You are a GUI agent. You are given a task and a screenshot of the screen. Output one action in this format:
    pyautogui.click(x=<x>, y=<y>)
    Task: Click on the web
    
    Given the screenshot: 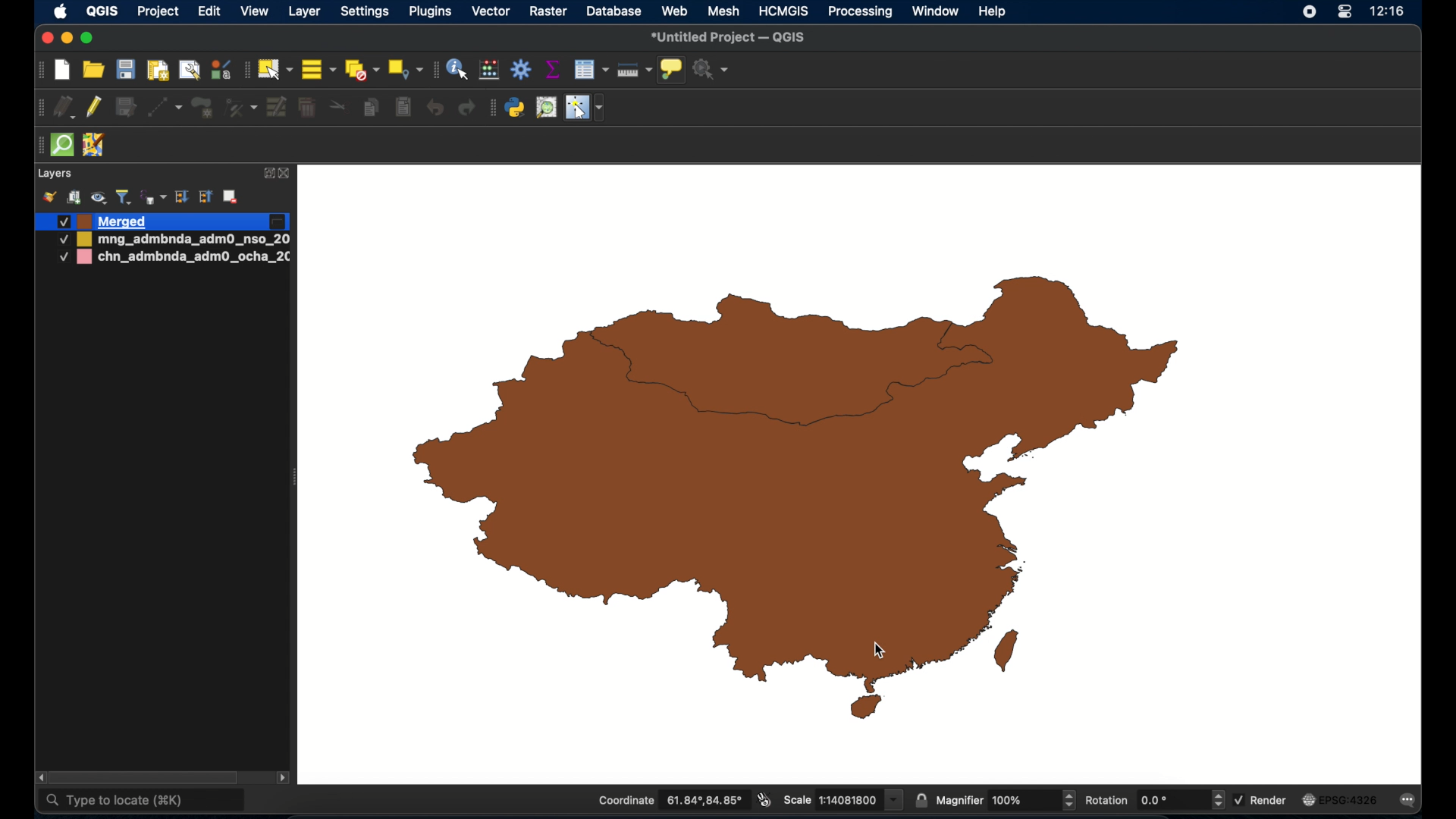 What is the action you would take?
    pyautogui.click(x=676, y=11)
    